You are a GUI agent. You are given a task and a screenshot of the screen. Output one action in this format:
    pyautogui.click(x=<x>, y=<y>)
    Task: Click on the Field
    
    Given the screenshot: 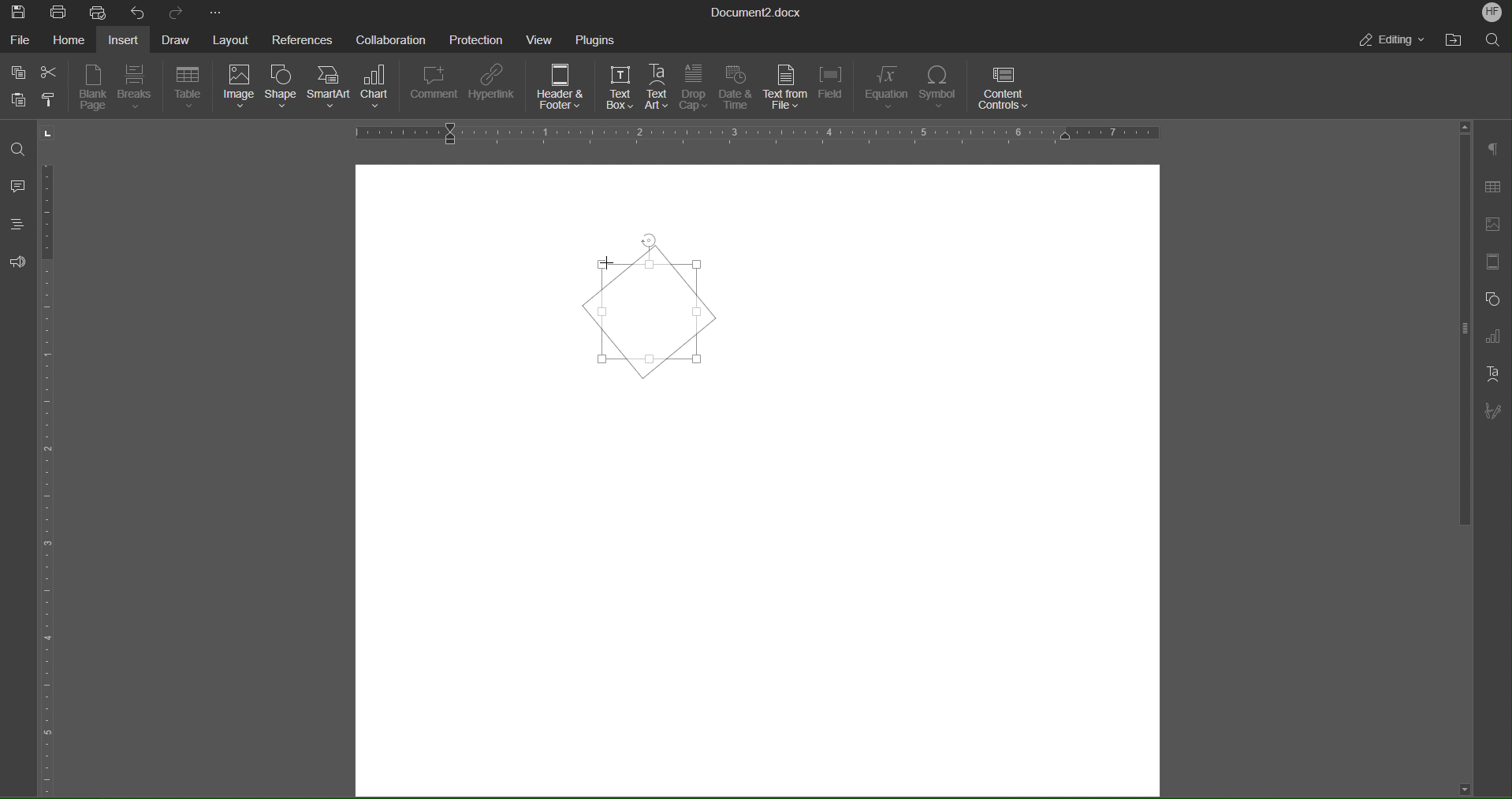 What is the action you would take?
    pyautogui.click(x=833, y=88)
    